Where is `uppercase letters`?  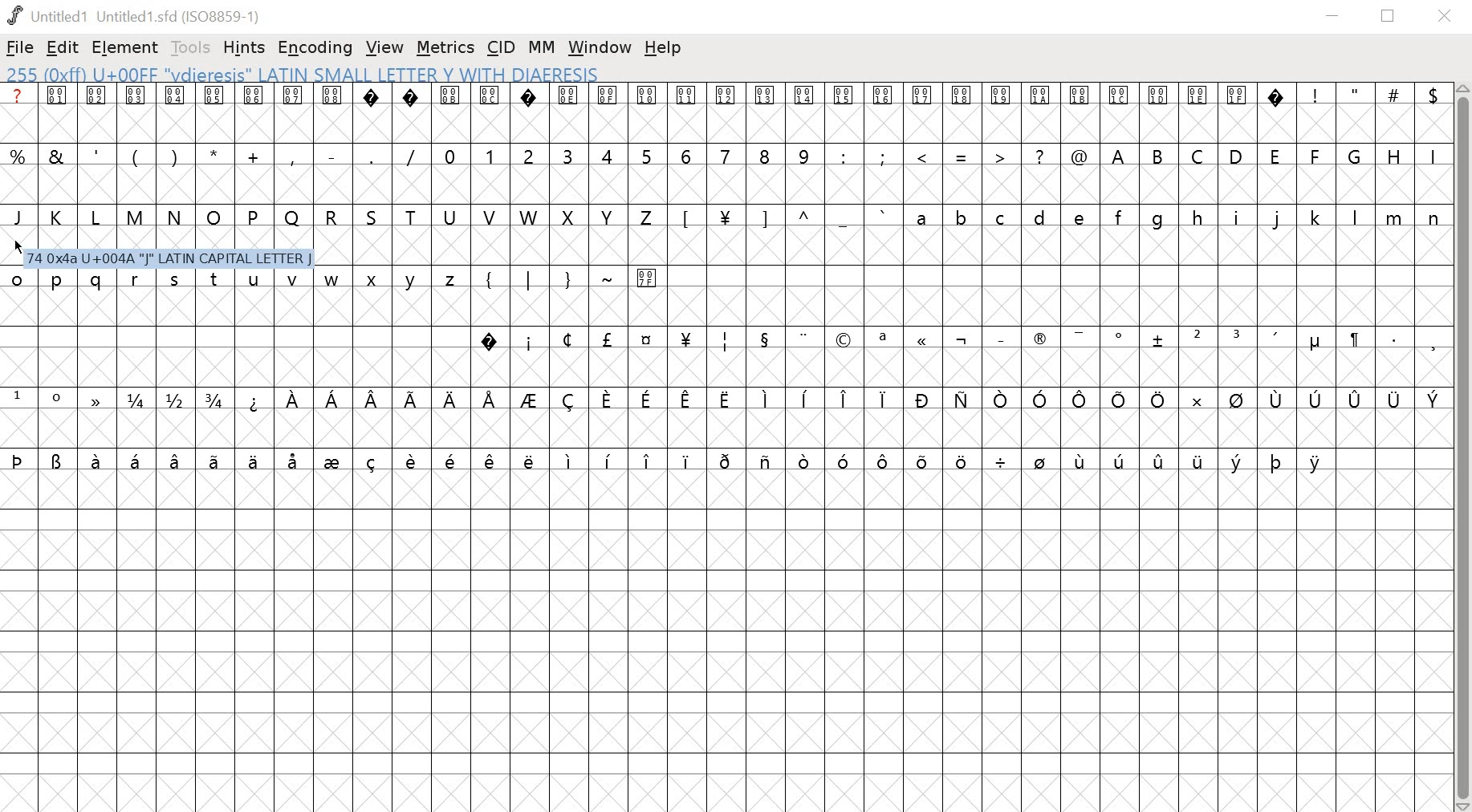 uppercase letters is located at coordinates (1275, 155).